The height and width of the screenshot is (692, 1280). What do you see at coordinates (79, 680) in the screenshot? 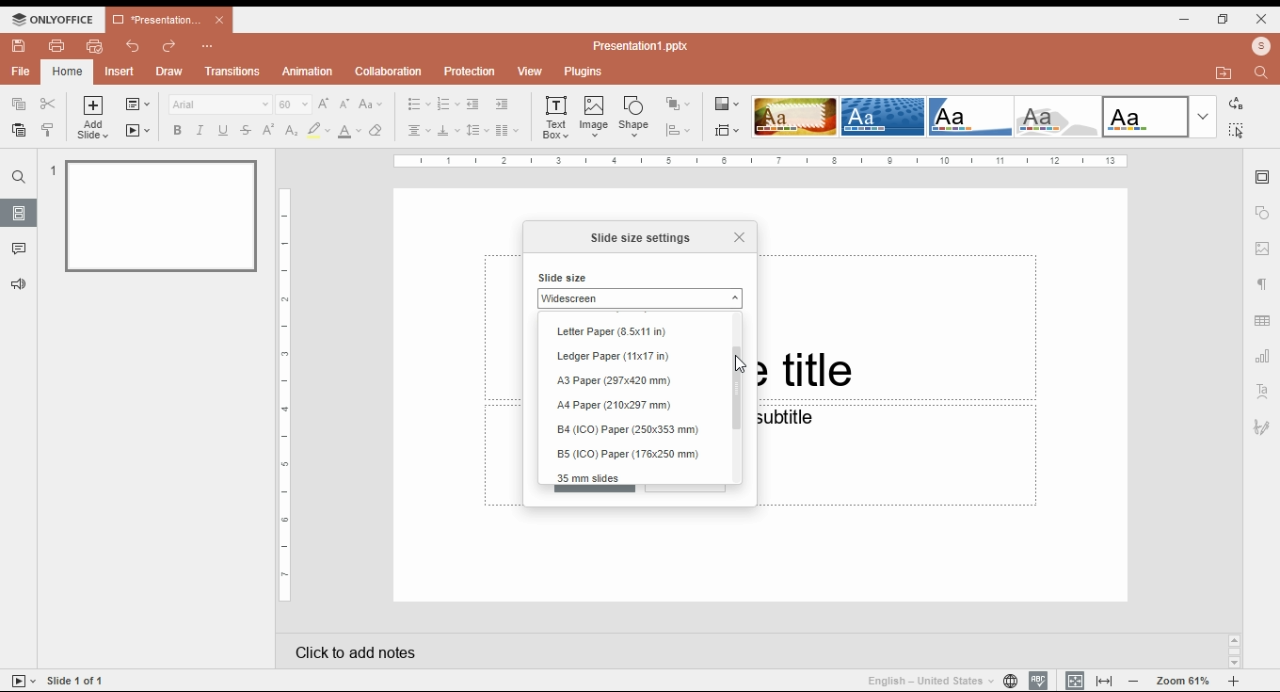
I see `Slide 1 of 1` at bounding box center [79, 680].